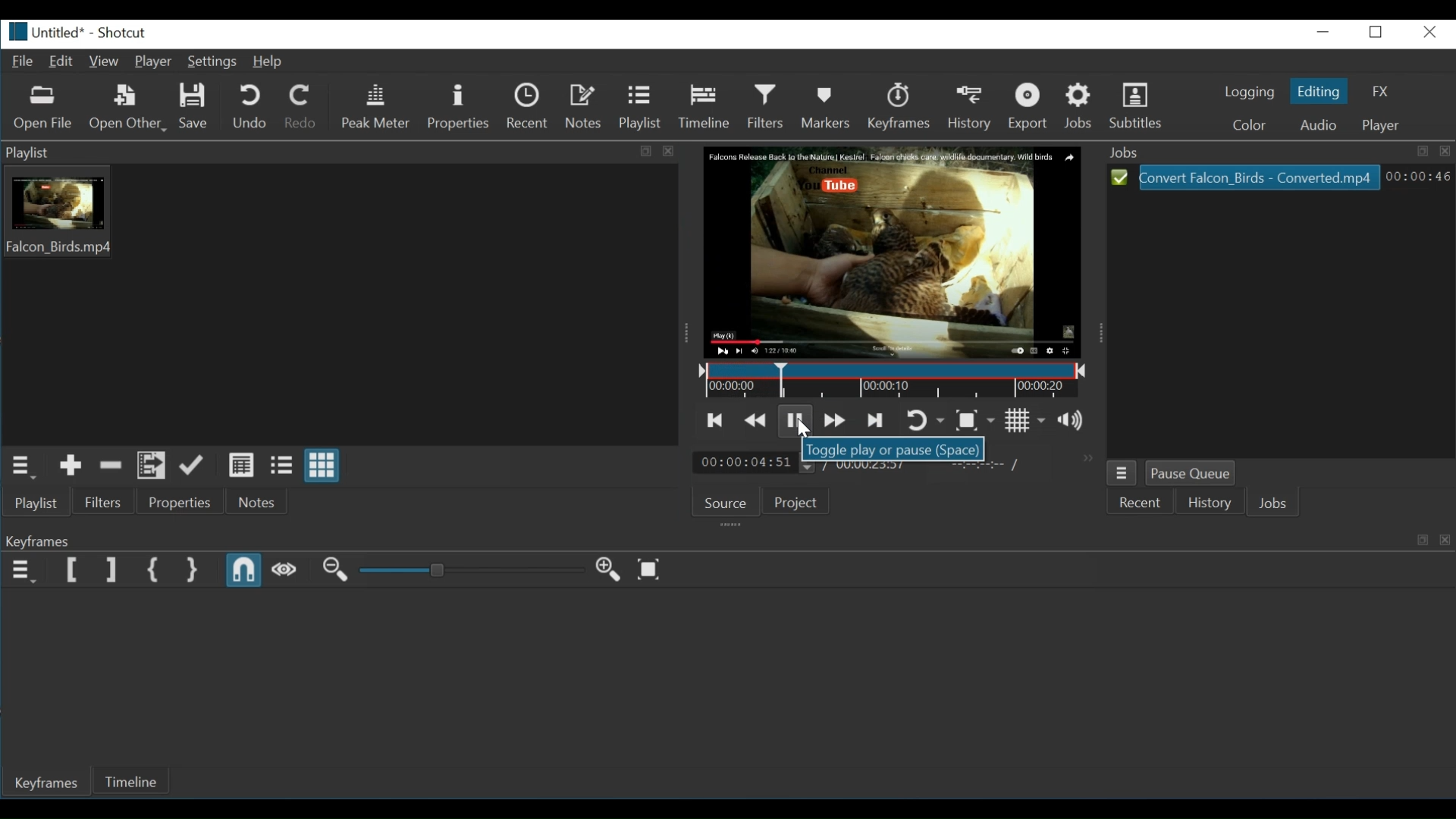  Describe the element at coordinates (795, 500) in the screenshot. I see `Projects` at that location.